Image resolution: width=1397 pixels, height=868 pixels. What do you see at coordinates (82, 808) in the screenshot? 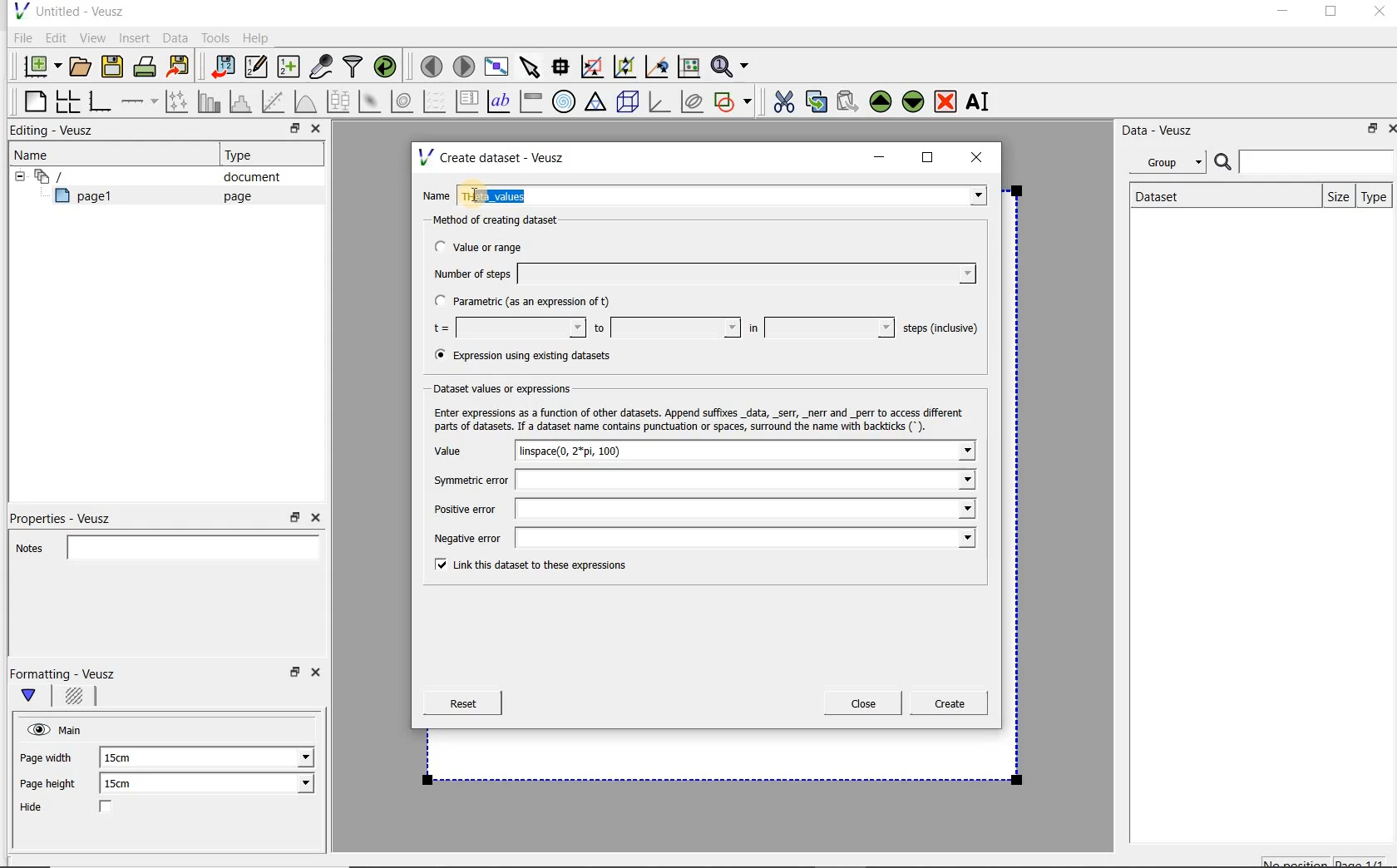
I see `Hide` at bounding box center [82, 808].